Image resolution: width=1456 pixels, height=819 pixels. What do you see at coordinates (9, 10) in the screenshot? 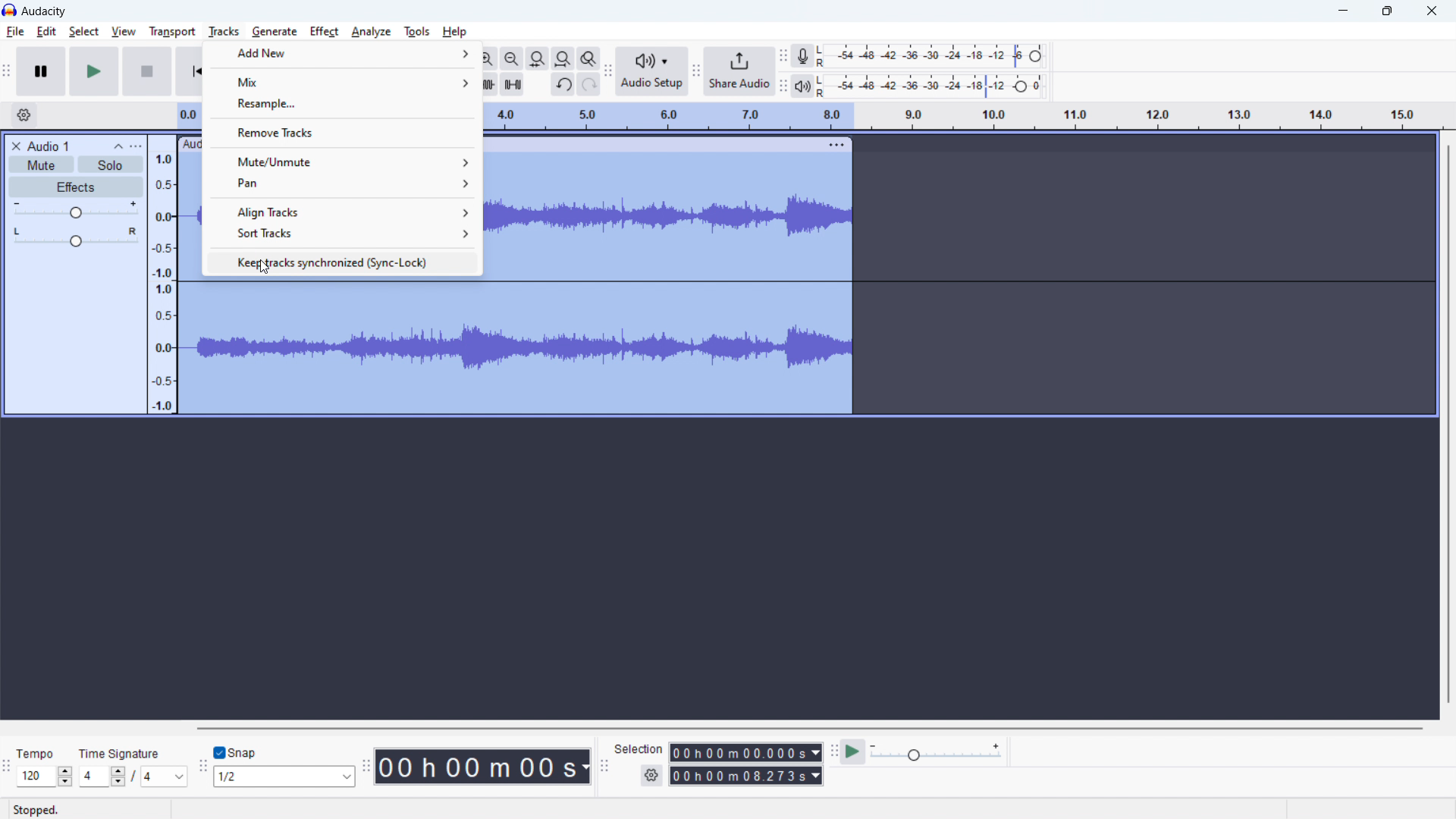
I see `logo` at bounding box center [9, 10].